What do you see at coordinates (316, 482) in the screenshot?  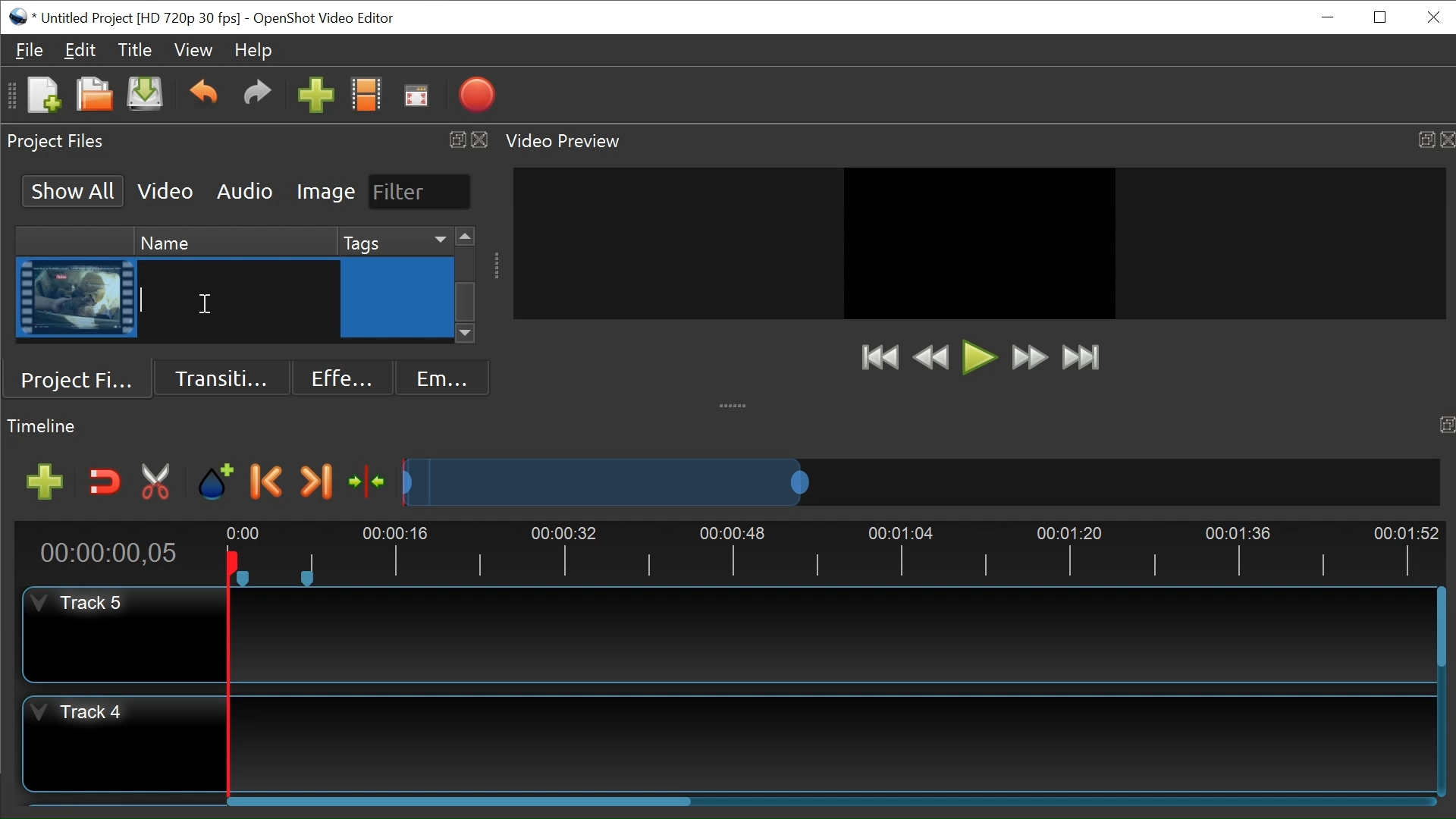 I see `Next Marker` at bounding box center [316, 482].